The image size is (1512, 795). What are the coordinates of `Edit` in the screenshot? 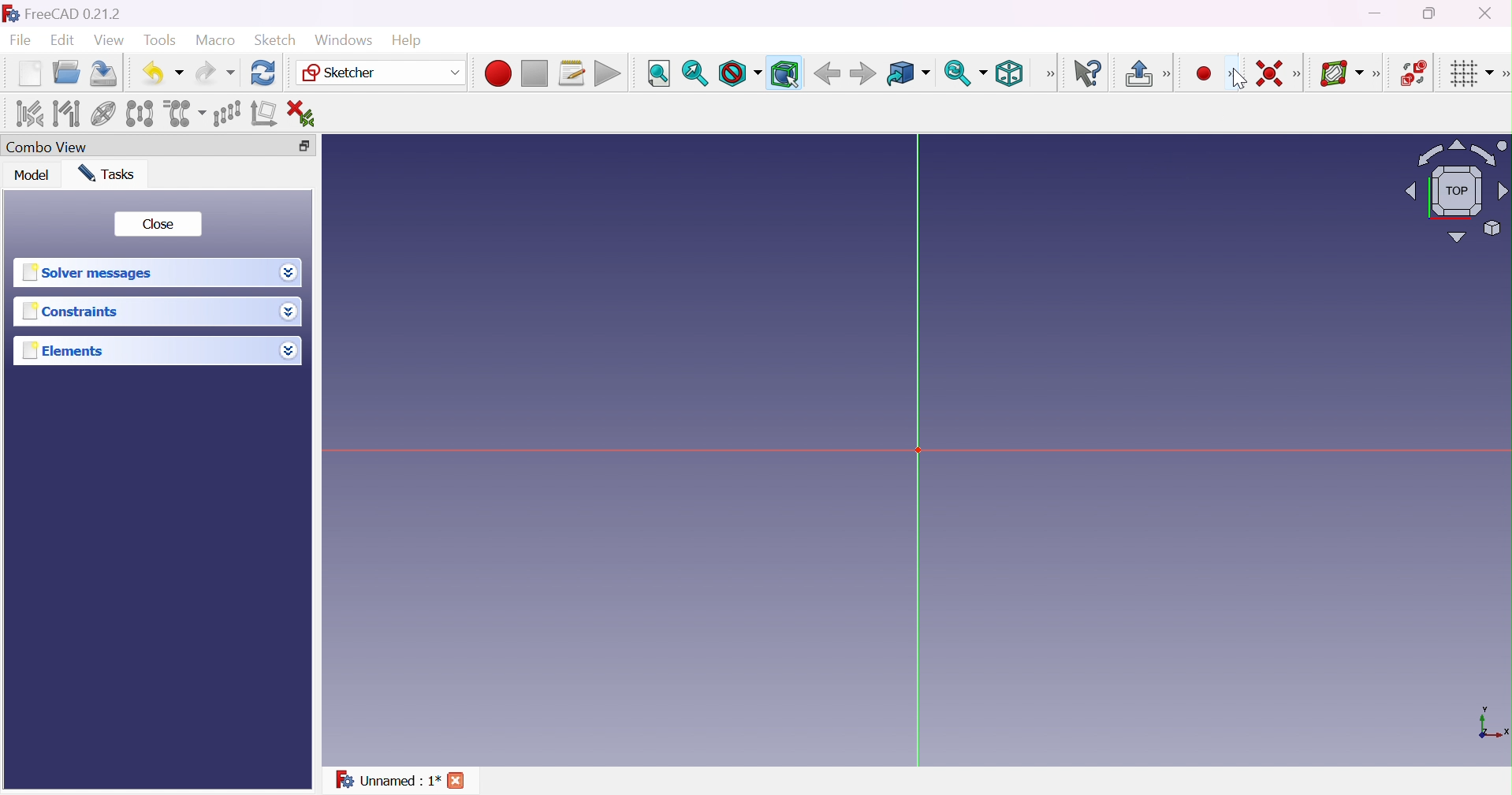 It's located at (61, 41).